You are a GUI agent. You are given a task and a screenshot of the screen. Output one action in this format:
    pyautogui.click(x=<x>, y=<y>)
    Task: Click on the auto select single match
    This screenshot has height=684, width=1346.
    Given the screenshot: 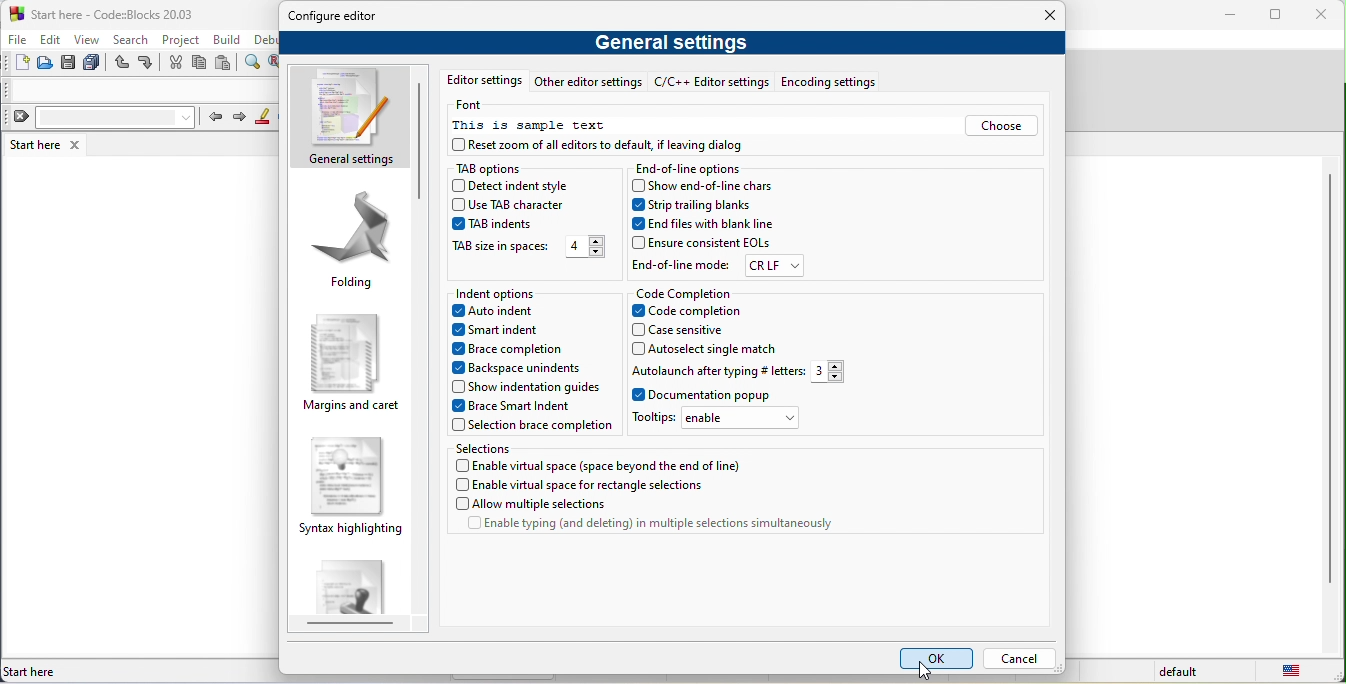 What is the action you would take?
    pyautogui.click(x=720, y=345)
    